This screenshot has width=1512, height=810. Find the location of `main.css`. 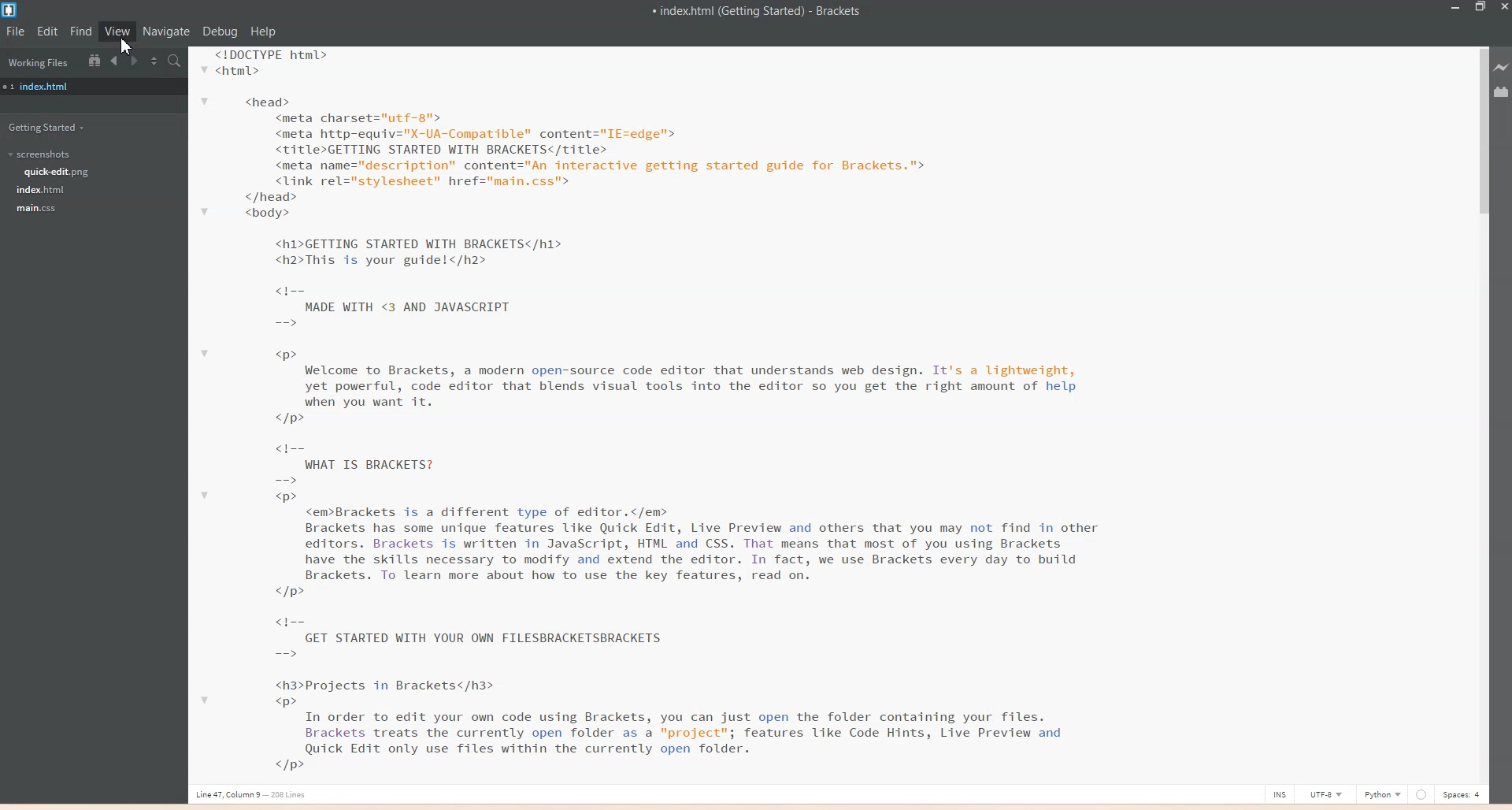

main.css is located at coordinates (37, 208).